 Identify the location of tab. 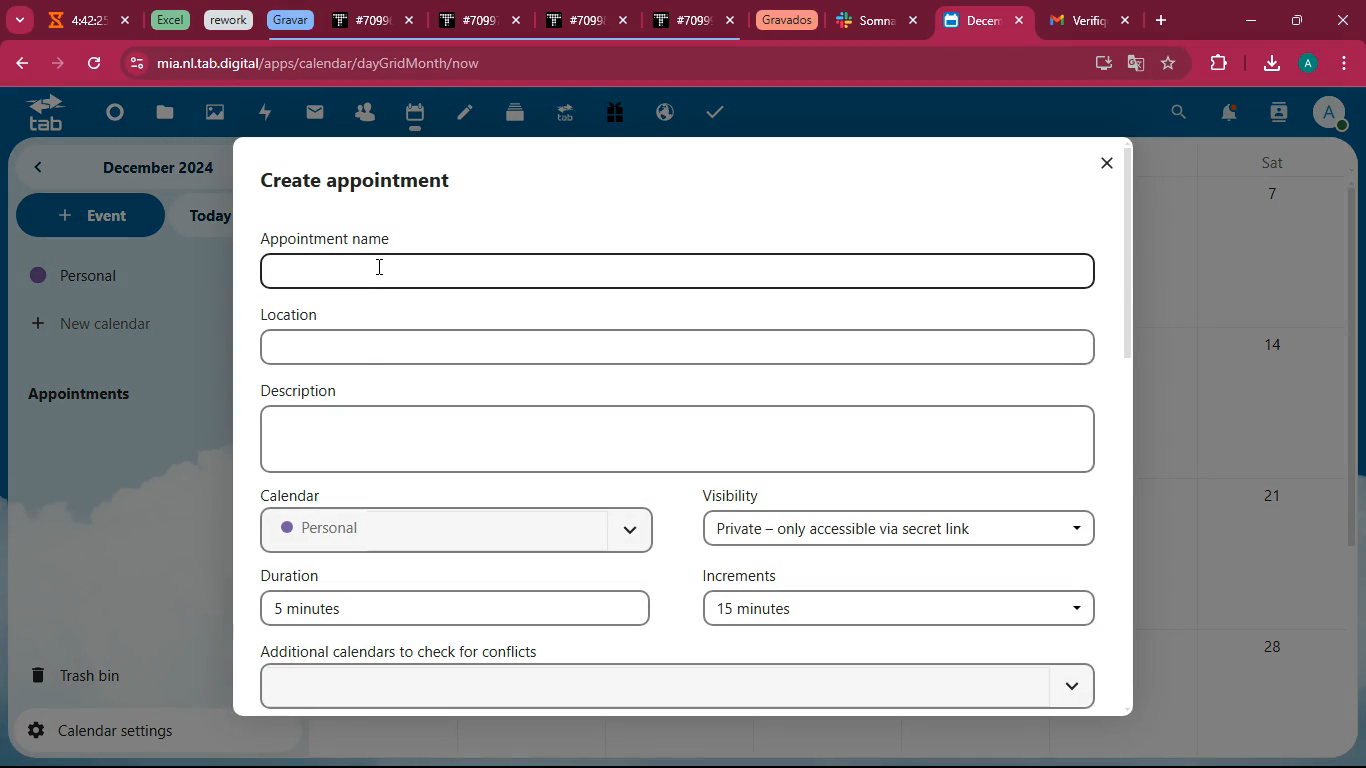
(360, 24).